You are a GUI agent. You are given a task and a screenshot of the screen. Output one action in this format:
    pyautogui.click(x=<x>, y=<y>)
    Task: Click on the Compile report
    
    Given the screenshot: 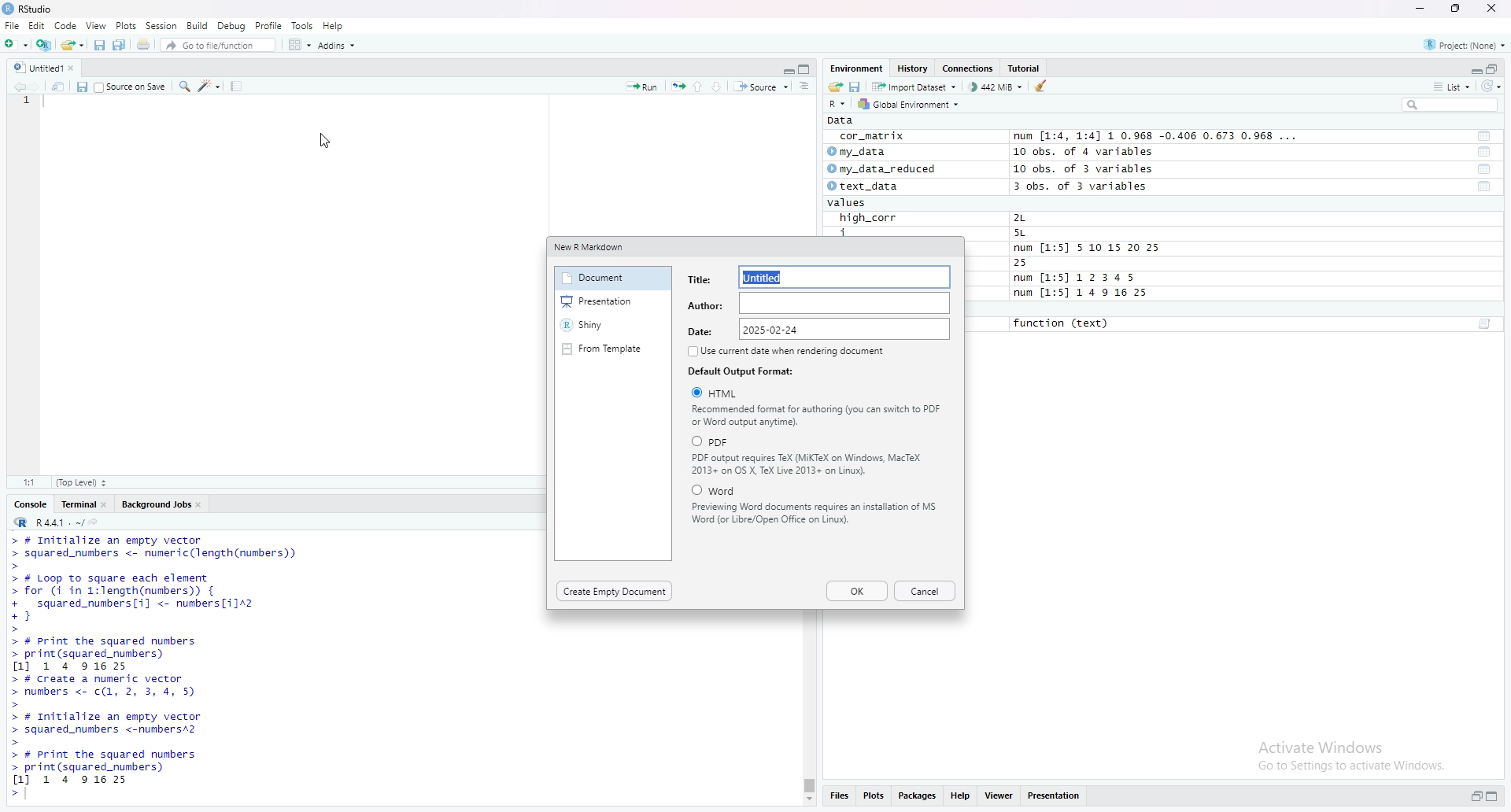 What is the action you would take?
    pyautogui.click(x=238, y=87)
    